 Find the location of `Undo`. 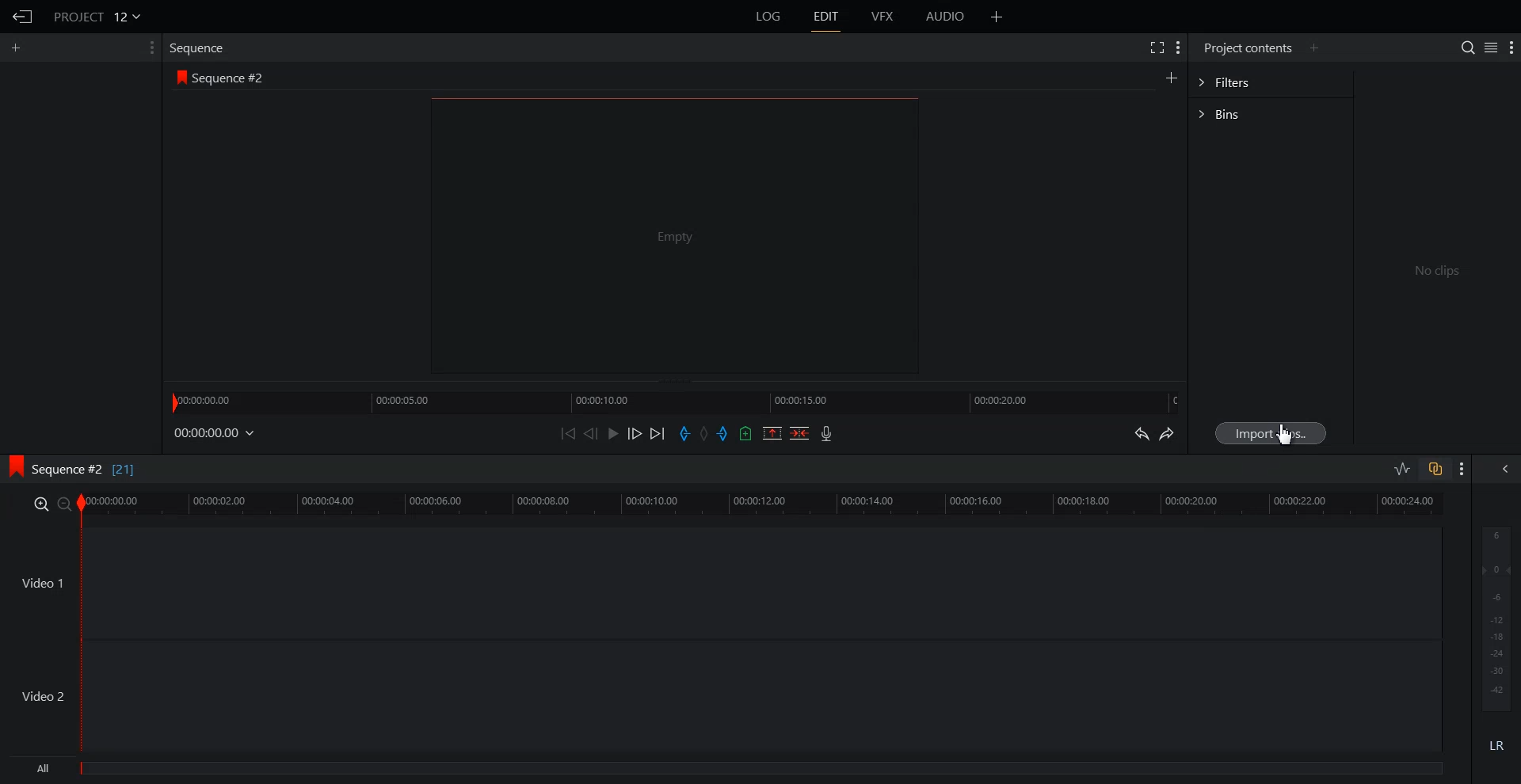

Undo is located at coordinates (1141, 433).